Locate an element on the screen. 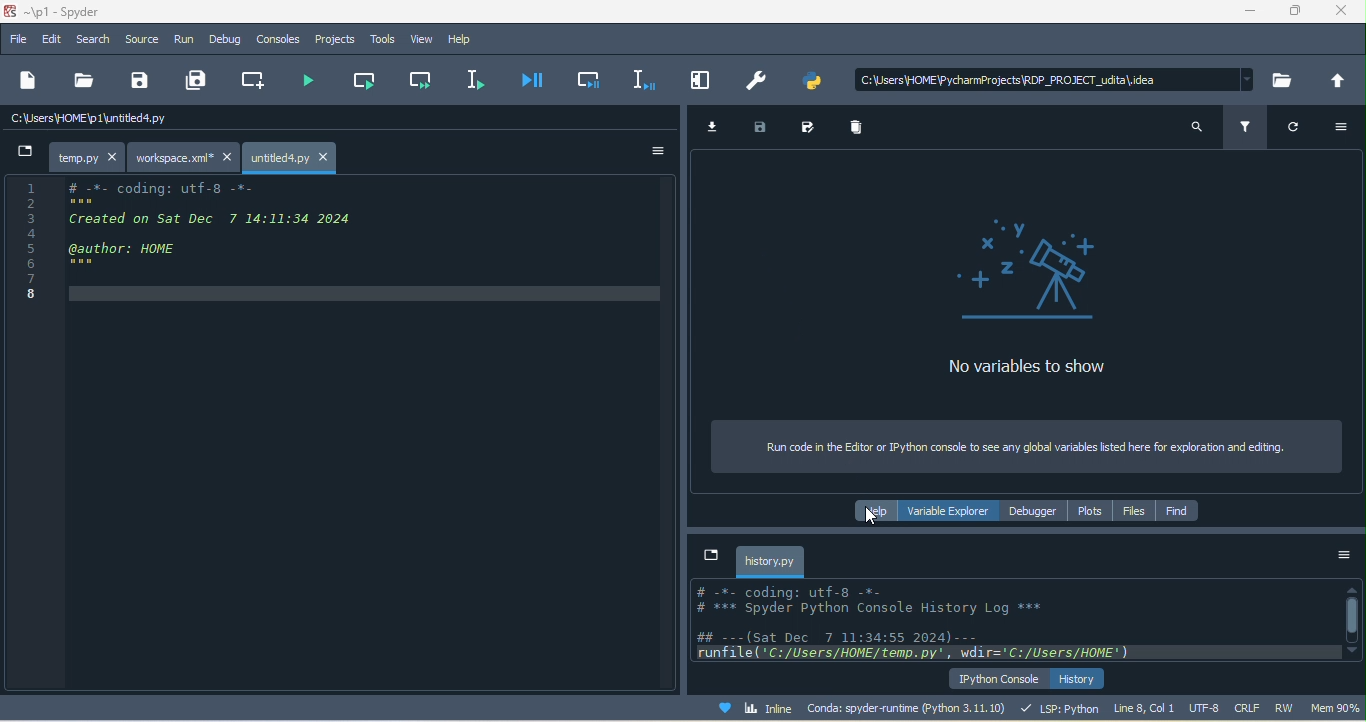  mem 90% is located at coordinates (1334, 711).